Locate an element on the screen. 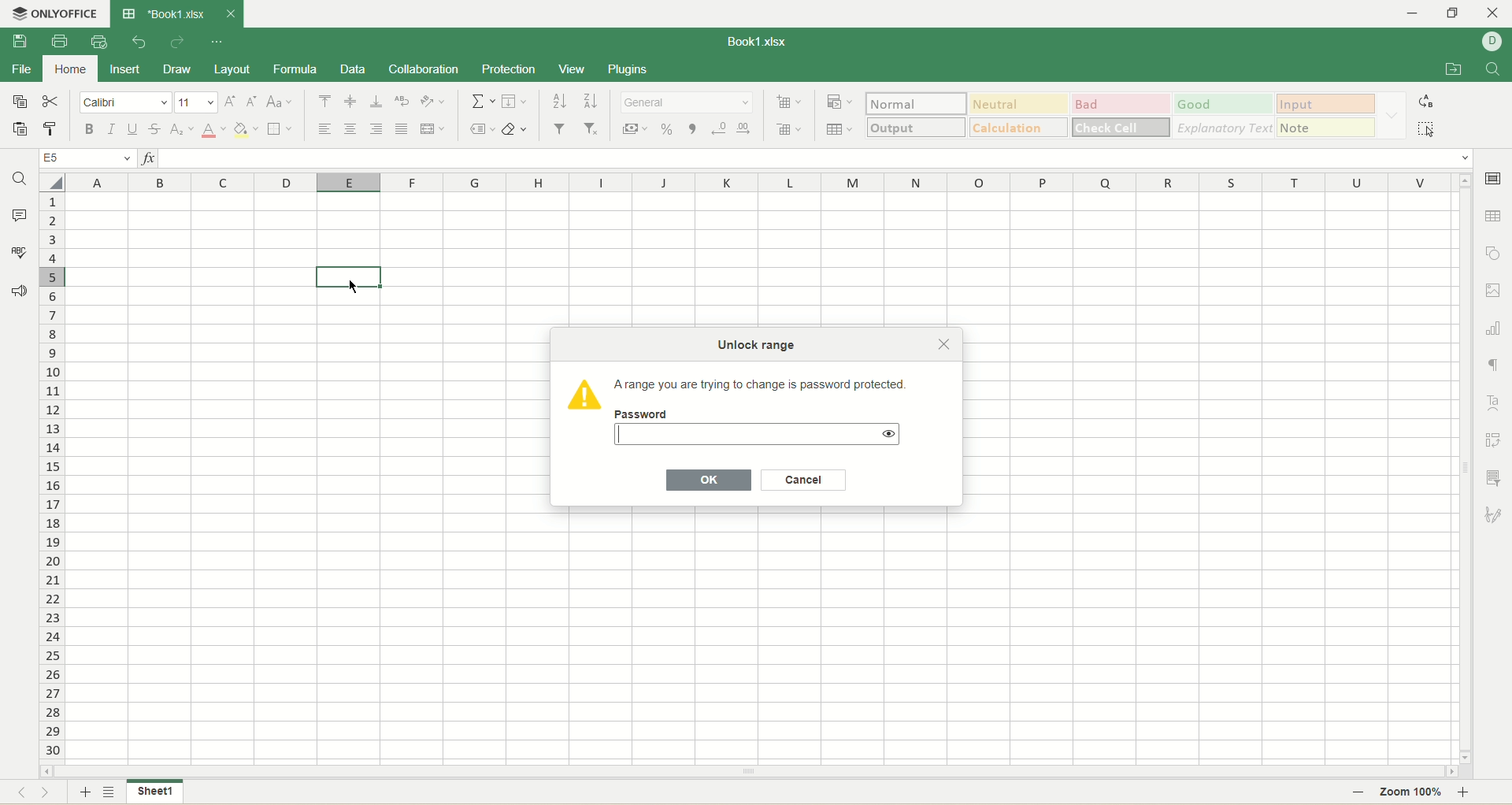  filter is located at coordinates (560, 129).